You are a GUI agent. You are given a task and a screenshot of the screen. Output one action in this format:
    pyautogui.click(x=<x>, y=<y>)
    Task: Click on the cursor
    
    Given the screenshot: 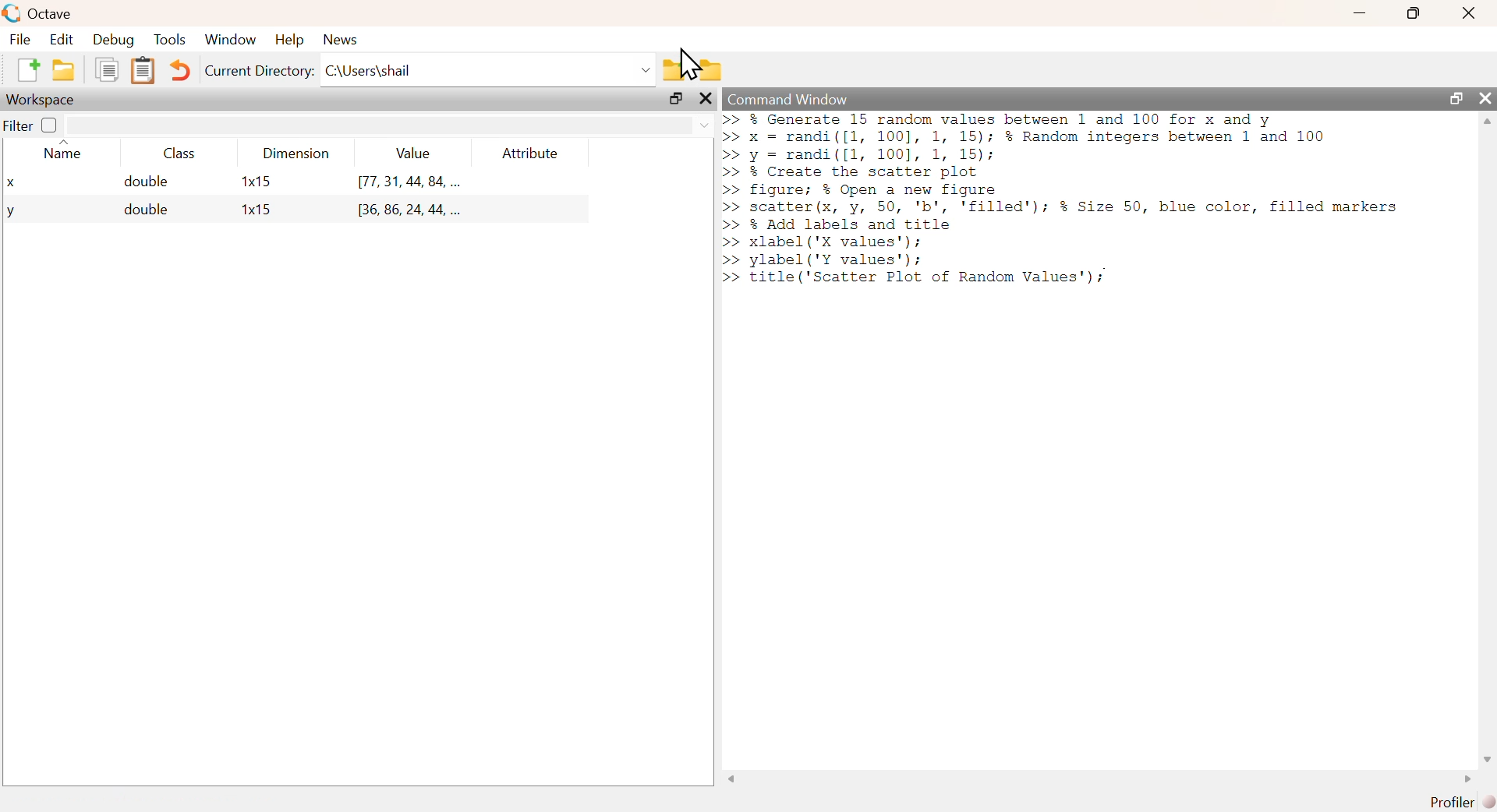 What is the action you would take?
    pyautogui.click(x=688, y=62)
    